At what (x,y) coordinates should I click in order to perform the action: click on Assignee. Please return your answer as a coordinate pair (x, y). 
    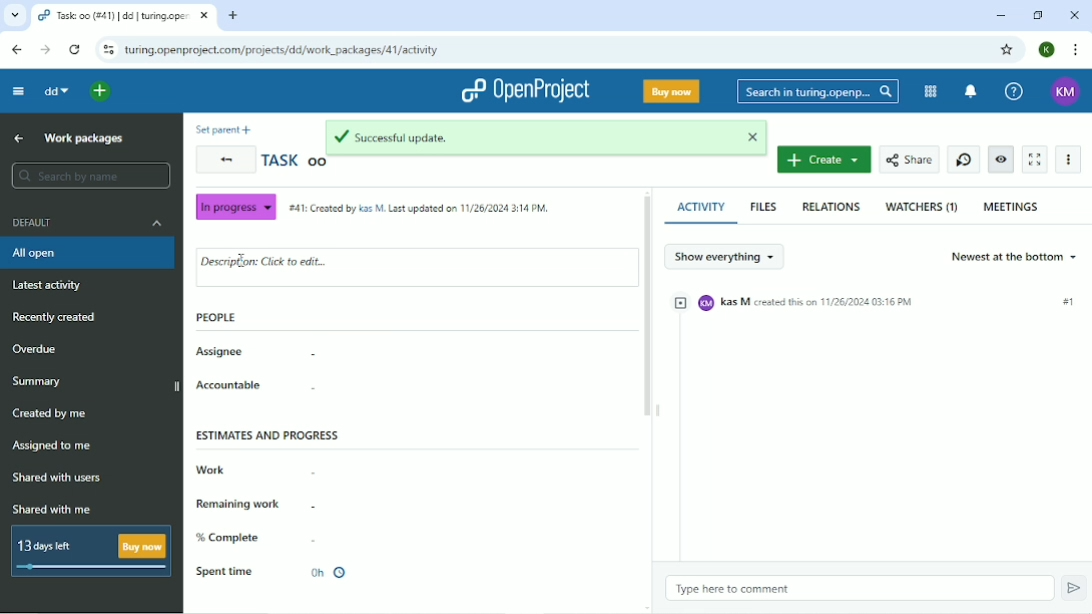
    Looking at the image, I should click on (219, 353).